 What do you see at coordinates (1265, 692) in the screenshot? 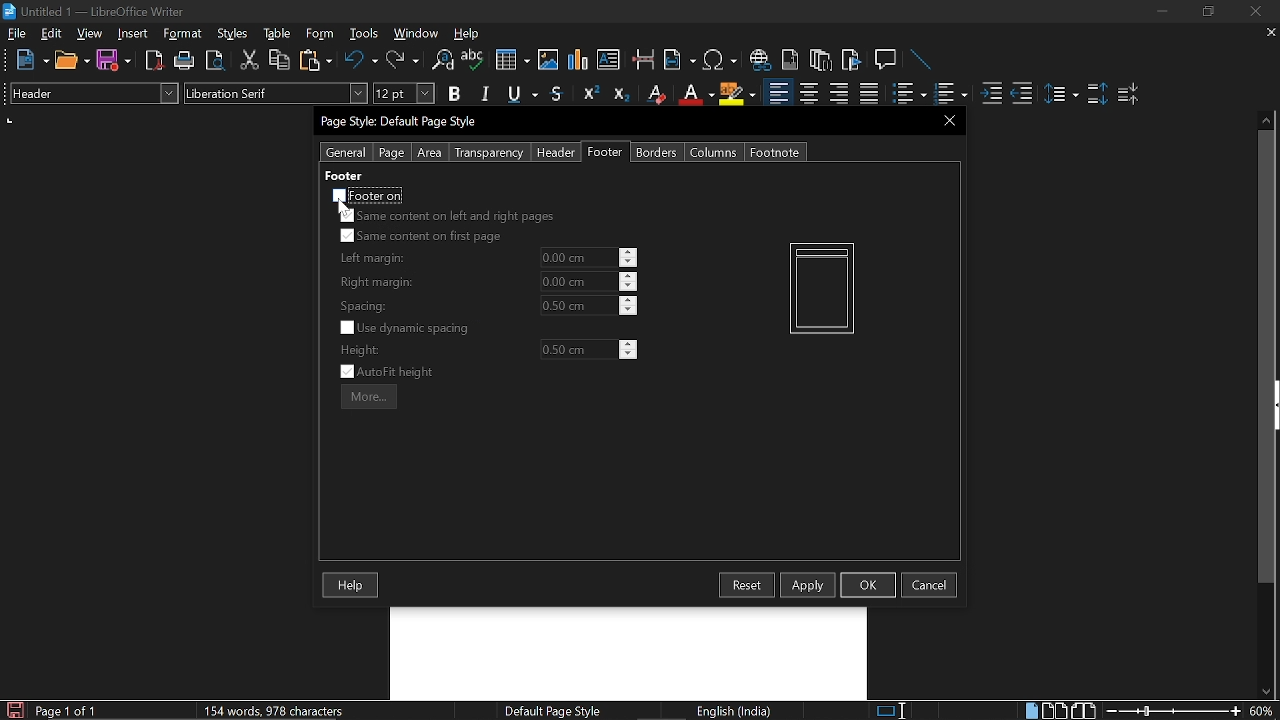
I see `Move down` at bounding box center [1265, 692].